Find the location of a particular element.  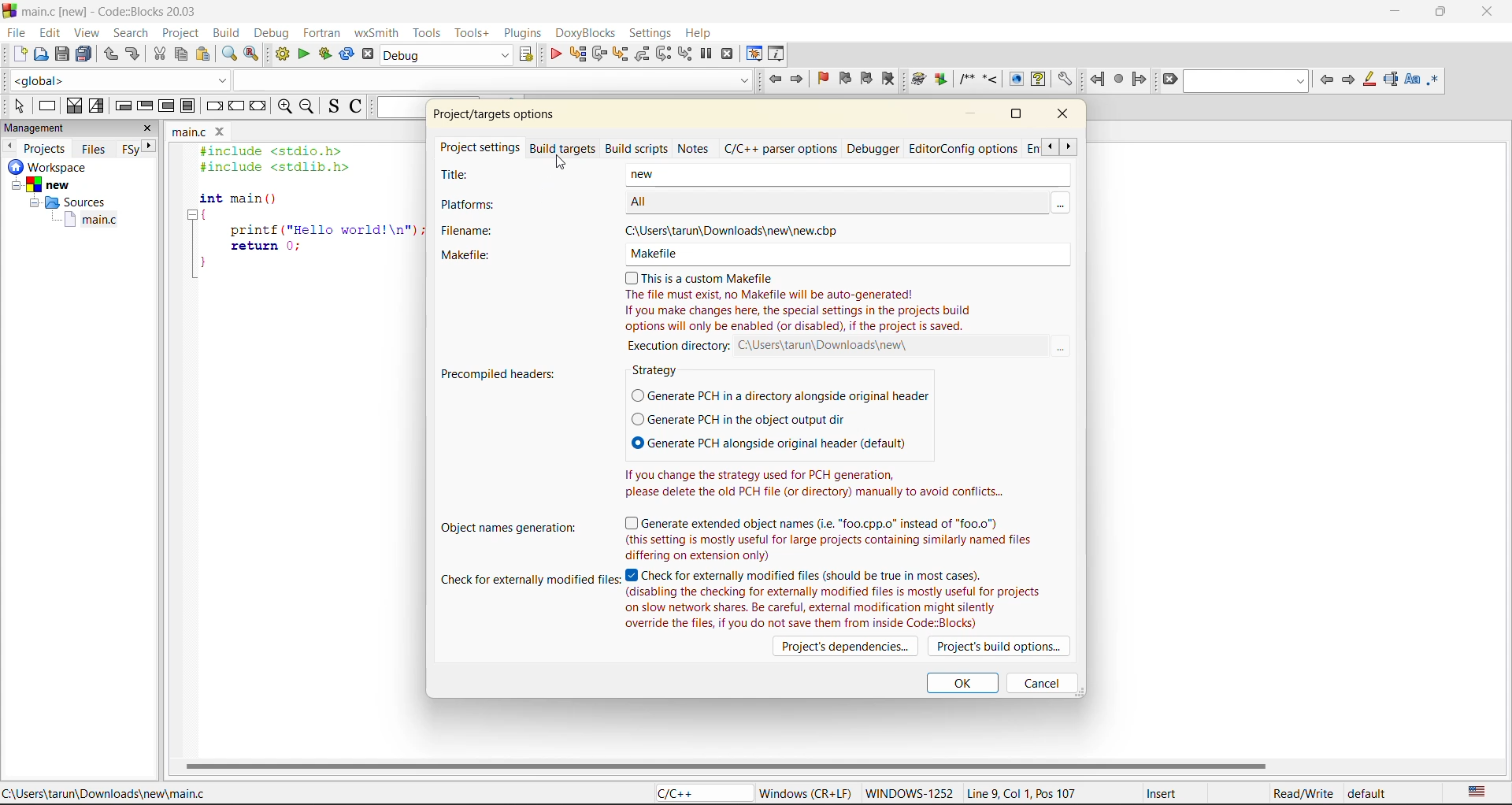

tools is located at coordinates (475, 32).